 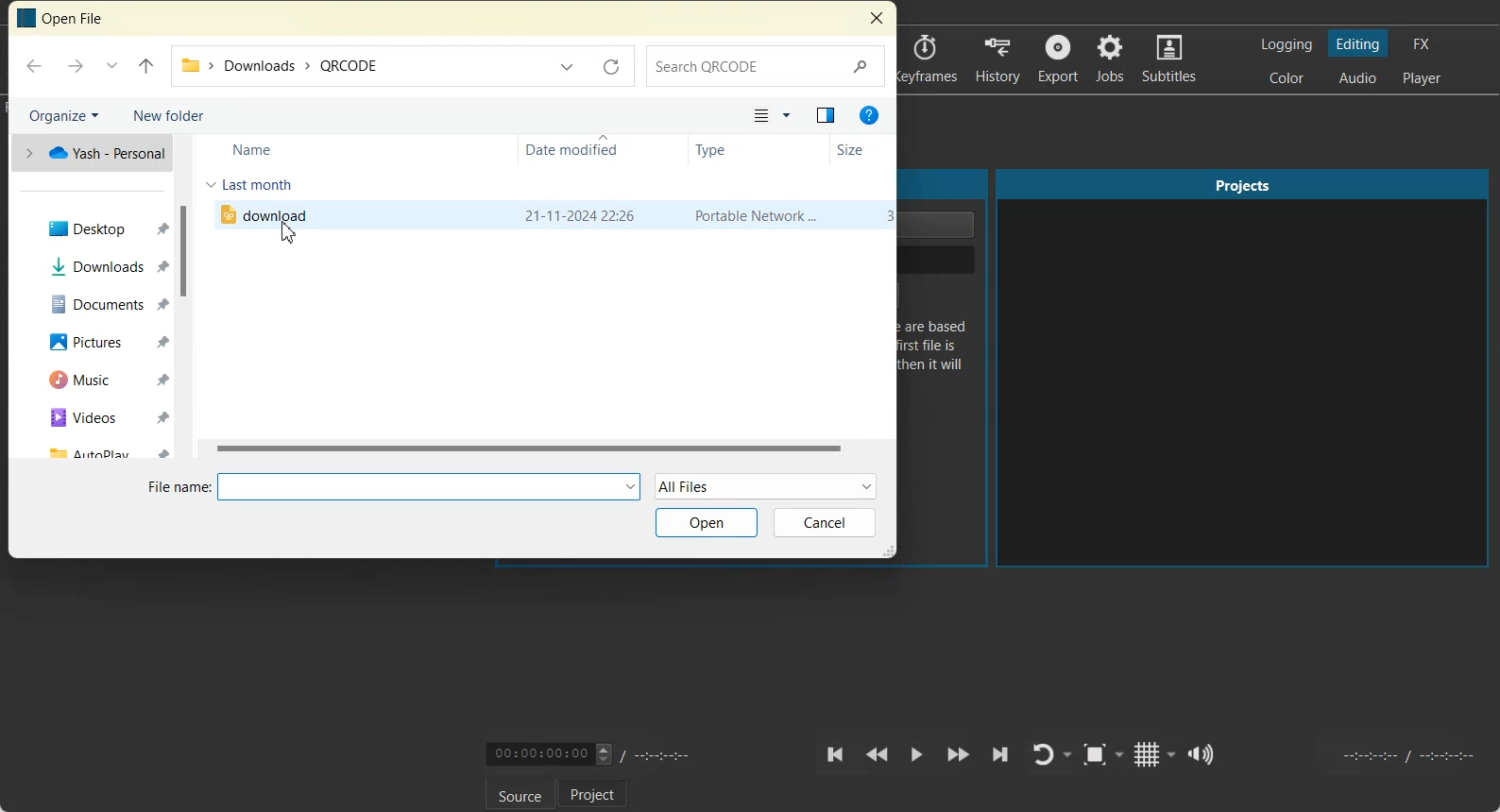 What do you see at coordinates (592, 793) in the screenshot?
I see `Project` at bounding box center [592, 793].